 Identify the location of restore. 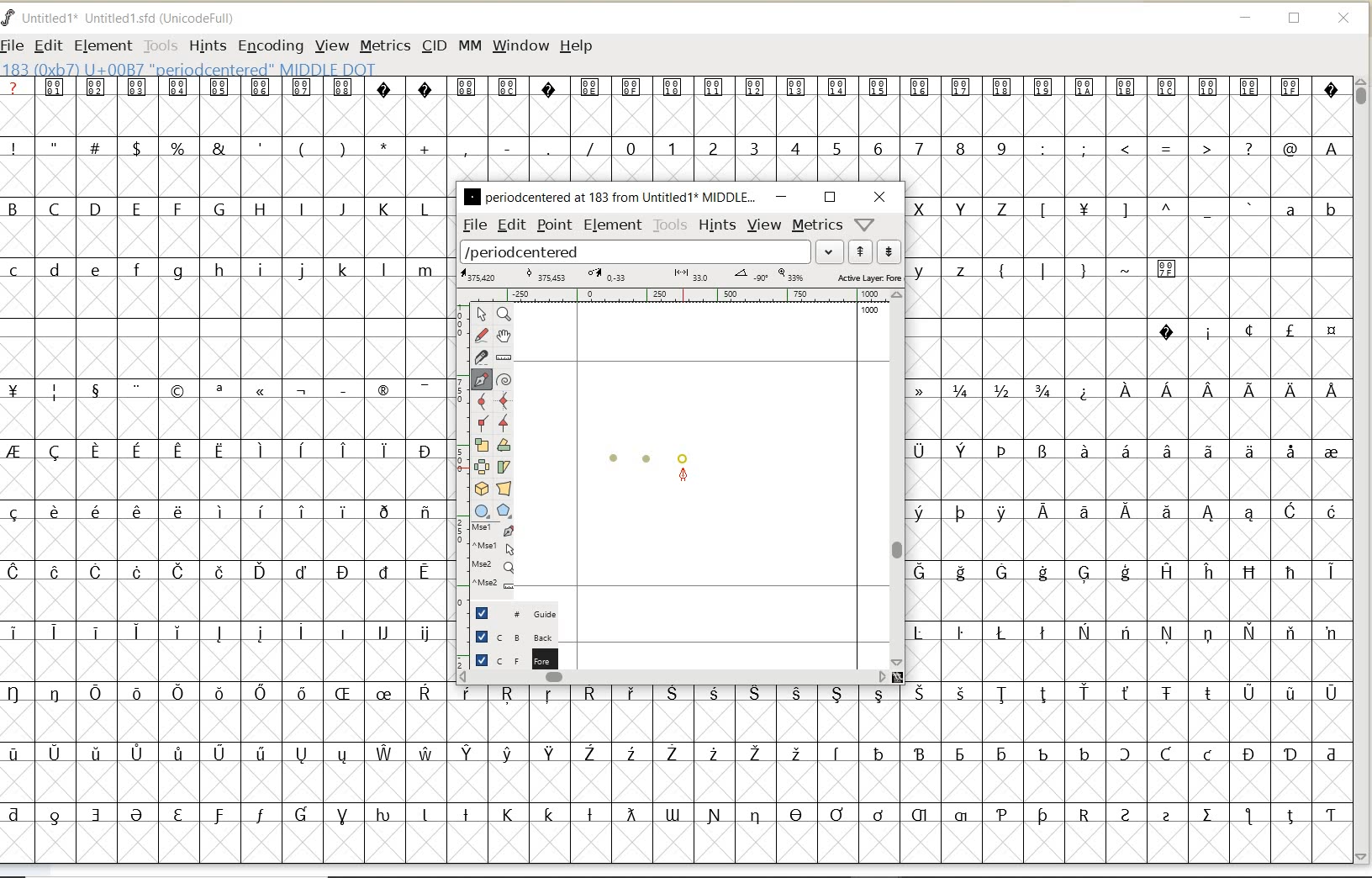
(830, 196).